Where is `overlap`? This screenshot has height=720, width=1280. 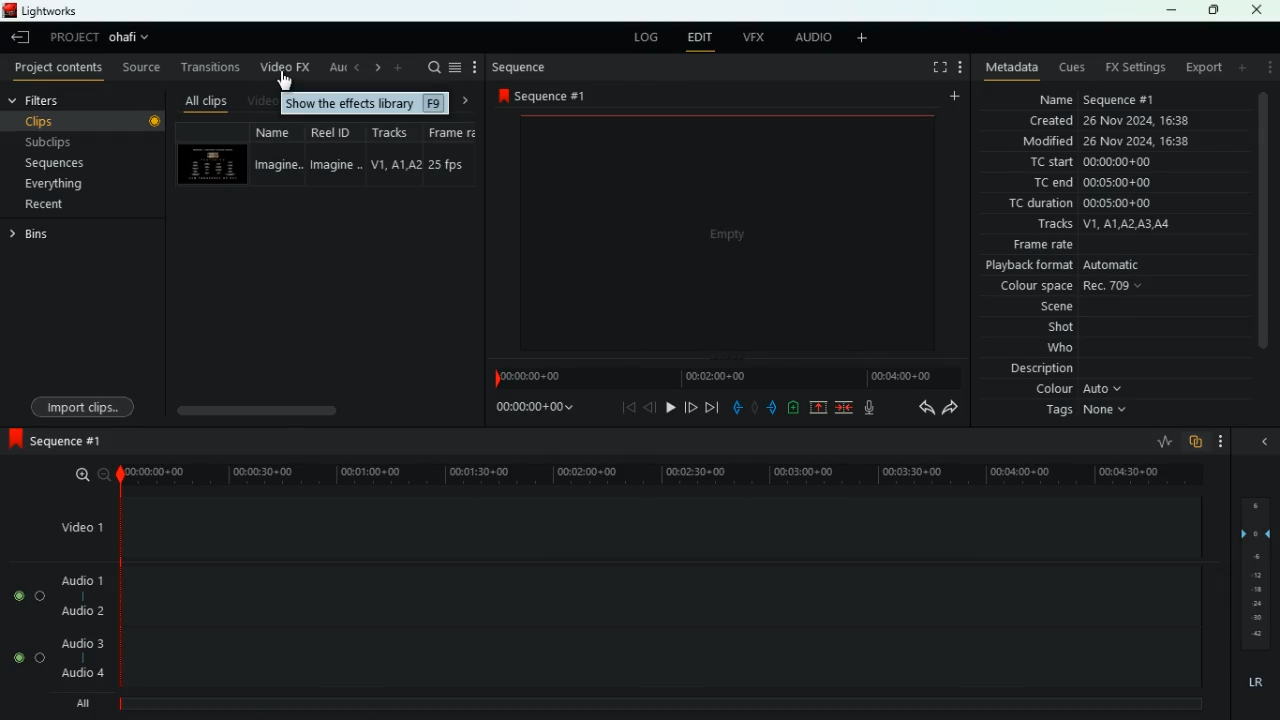
overlap is located at coordinates (1194, 442).